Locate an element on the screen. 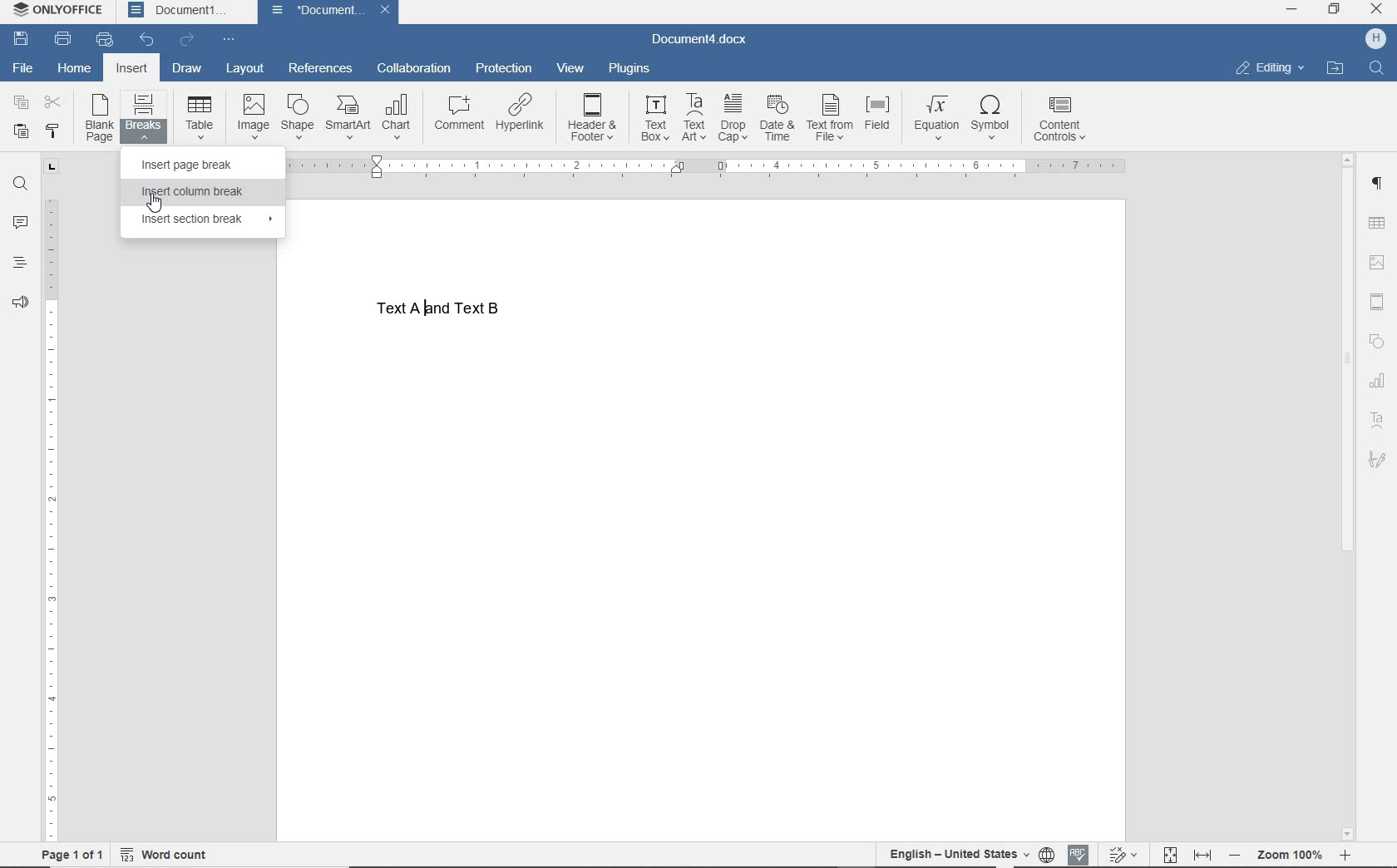  HEADER & FOOTER is located at coordinates (1377, 302).